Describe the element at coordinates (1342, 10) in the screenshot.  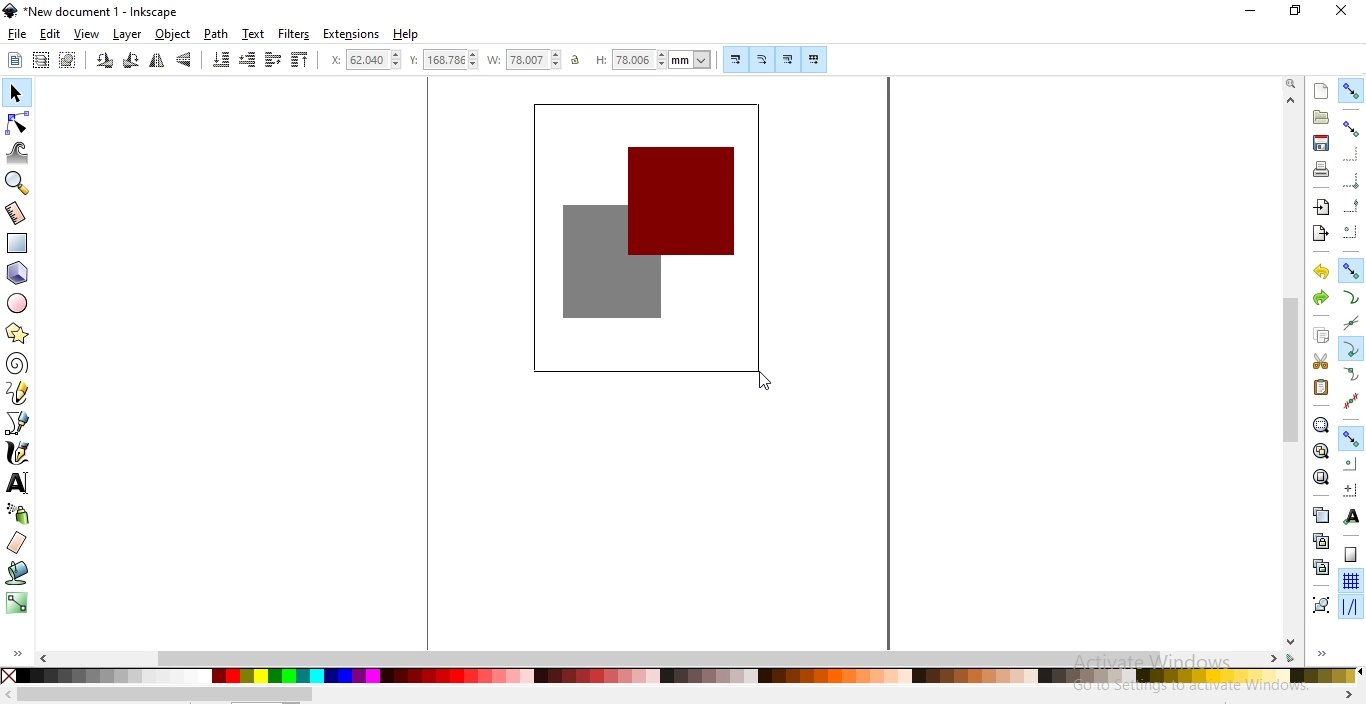
I see `close` at that location.